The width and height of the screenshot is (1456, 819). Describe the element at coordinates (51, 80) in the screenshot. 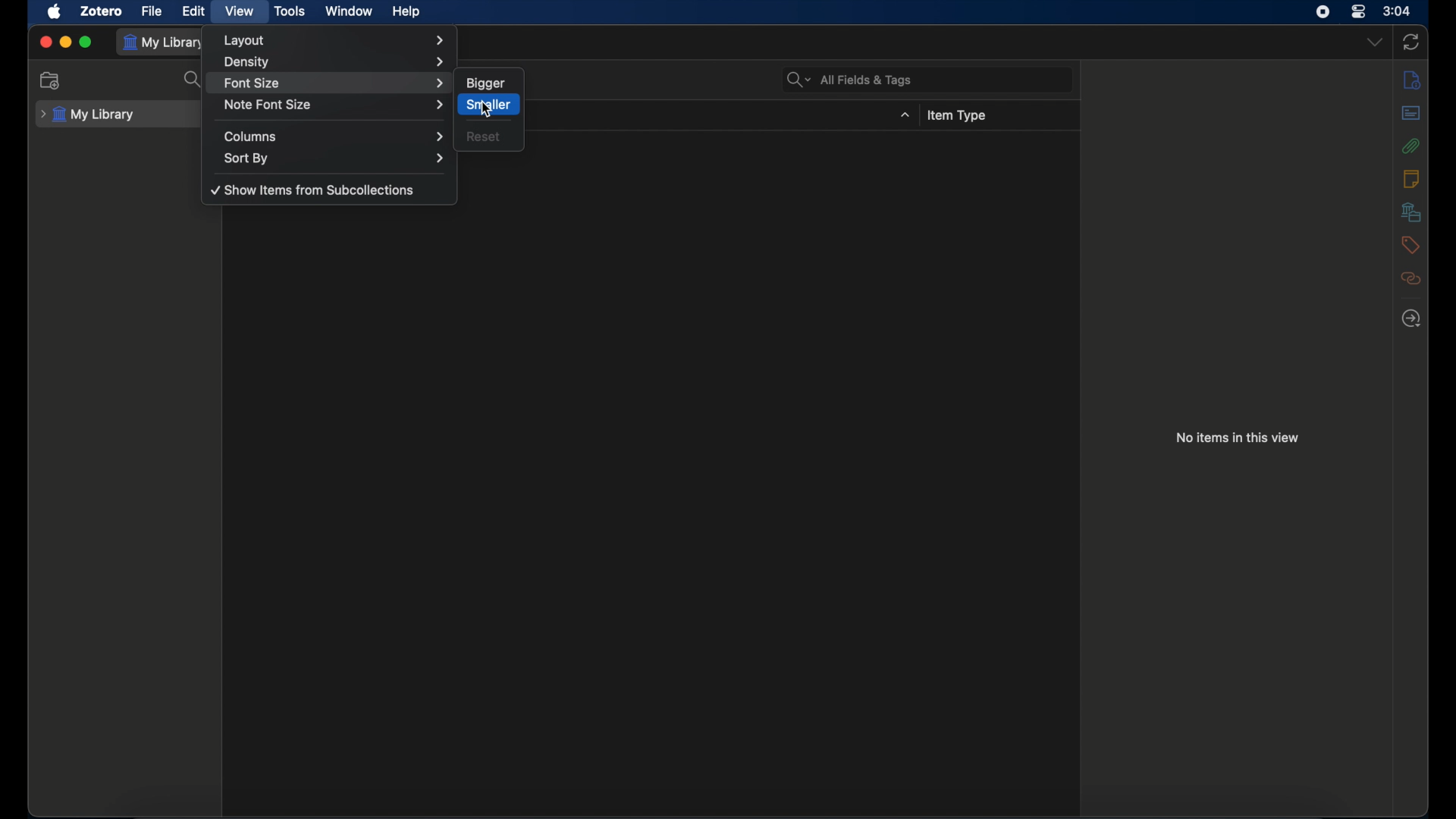

I see `new collection` at that location.